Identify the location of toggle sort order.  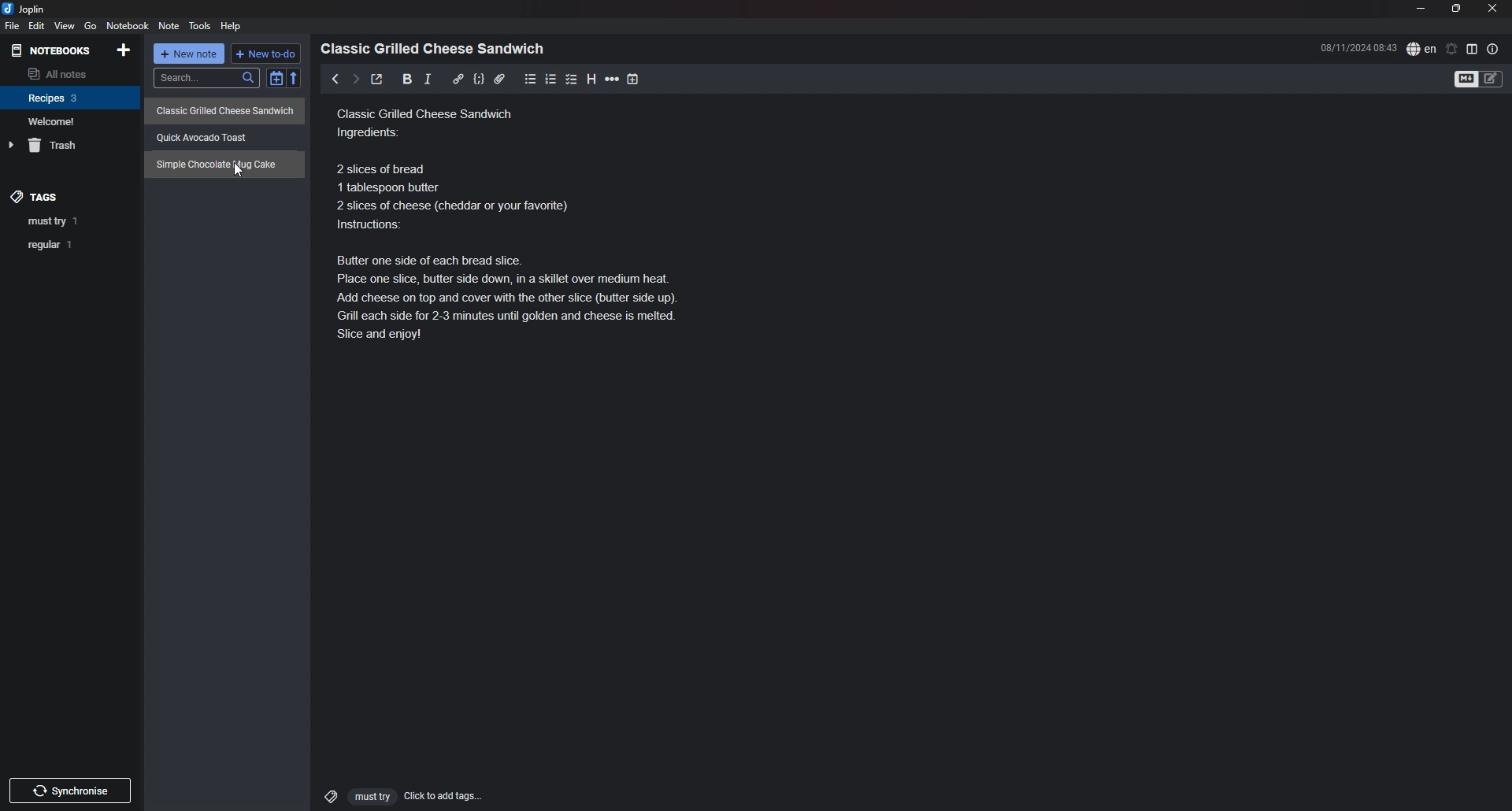
(276, 80).